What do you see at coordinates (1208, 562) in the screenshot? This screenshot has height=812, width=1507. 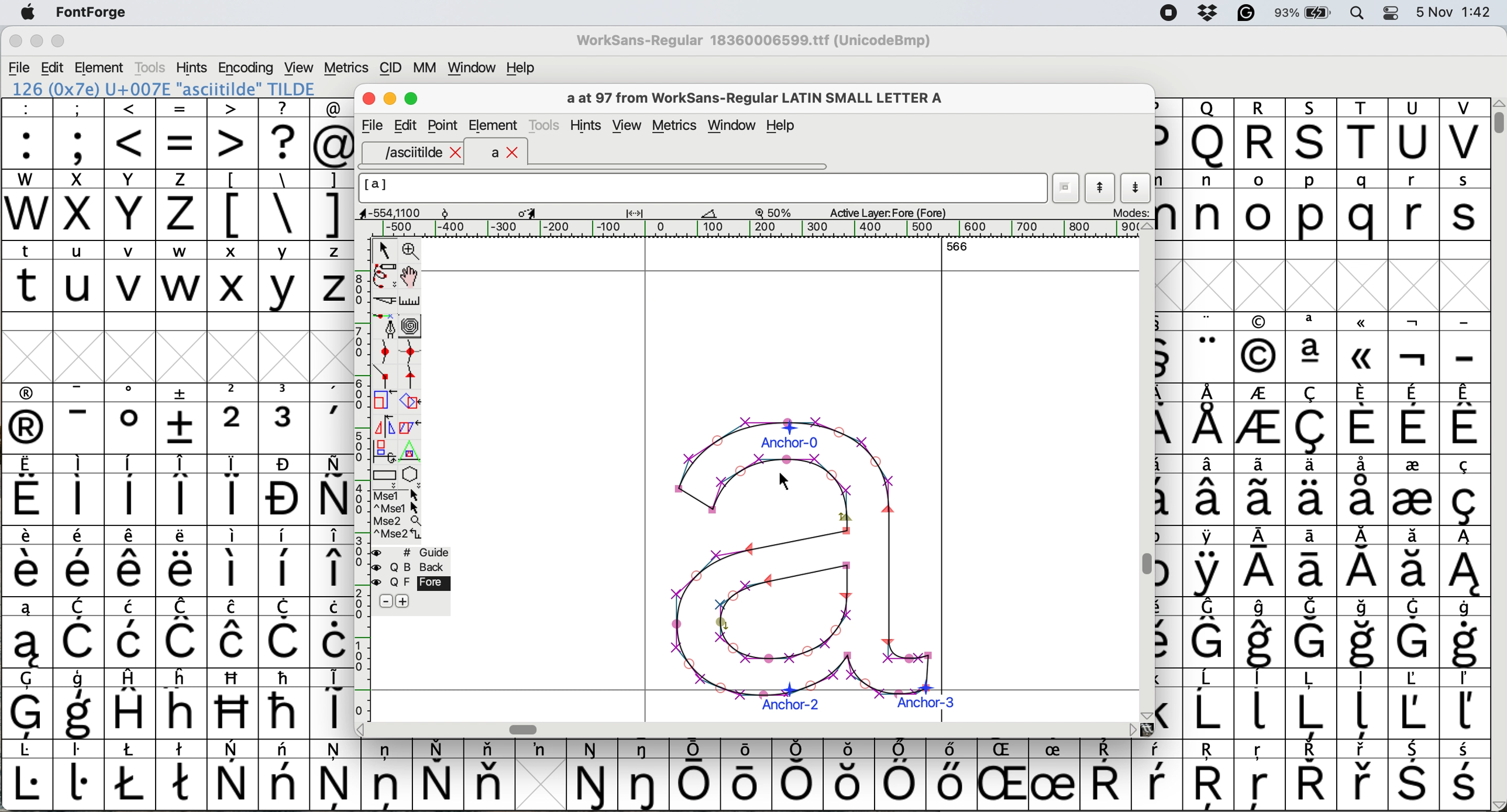 I see `symbol` at bounding box center [1208, 562].